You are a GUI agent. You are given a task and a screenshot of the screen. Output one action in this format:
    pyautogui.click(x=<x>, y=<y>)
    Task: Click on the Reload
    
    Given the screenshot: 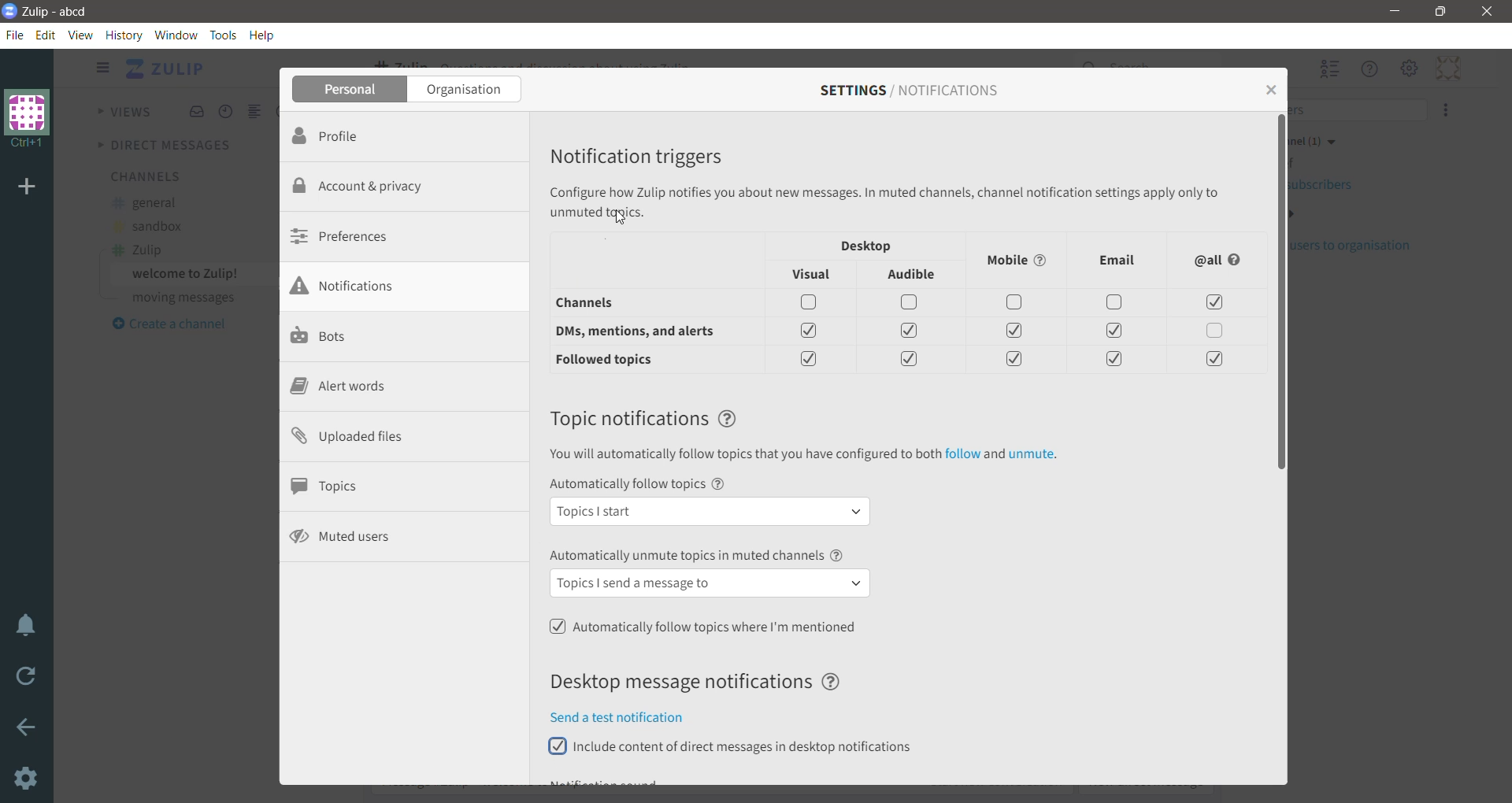 What is the action you would take?
    pyautogui.click(x=28, y=680)
    